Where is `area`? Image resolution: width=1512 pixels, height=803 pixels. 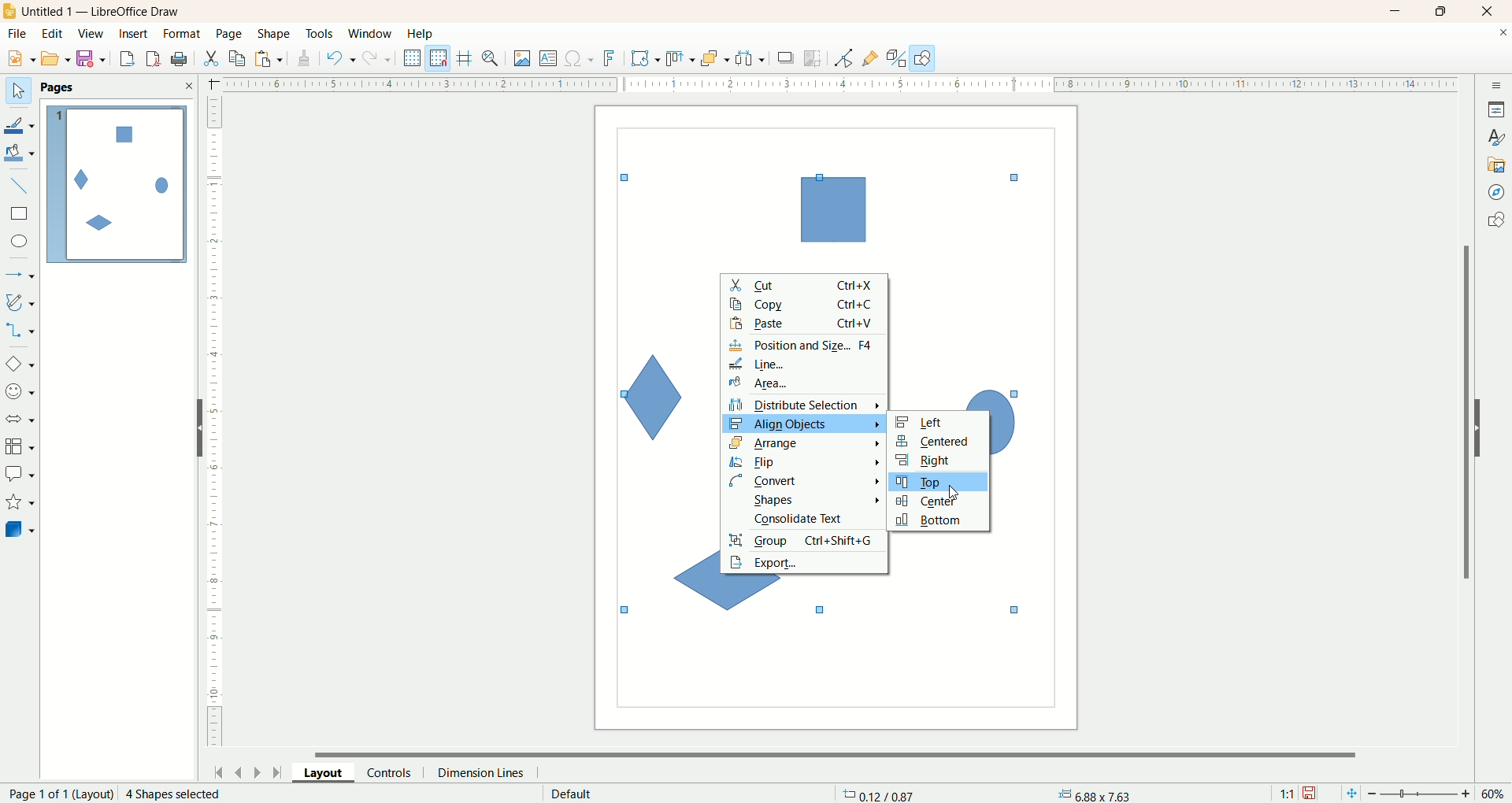 area is located at coordinates (802, 384).